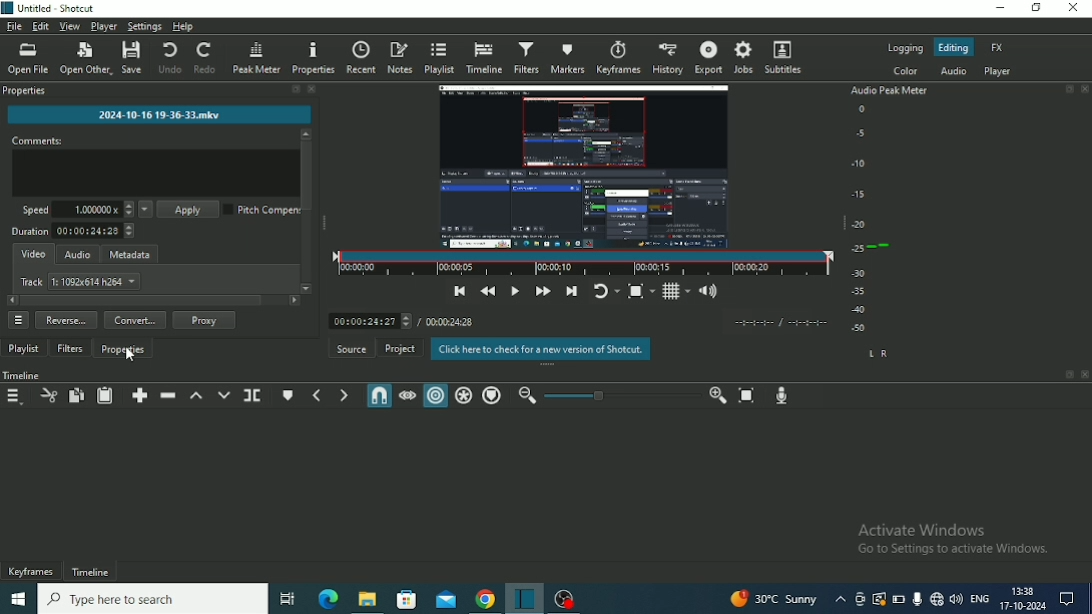  Describe the element at coordinates (1023, 591) in the screenshot. I see `Time` at that location.